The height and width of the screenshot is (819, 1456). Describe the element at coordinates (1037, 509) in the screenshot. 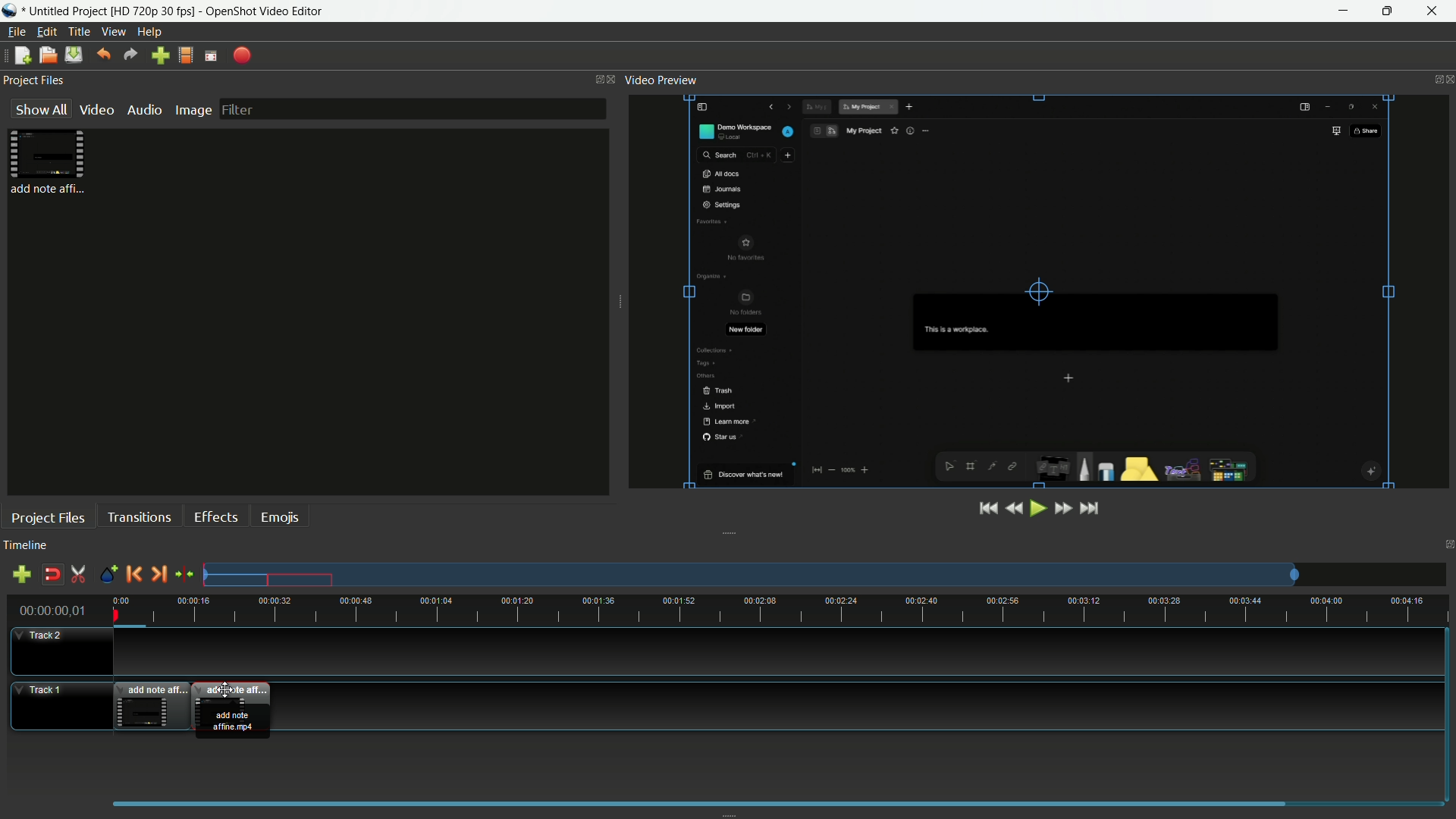

I see `play or pause` at that location.